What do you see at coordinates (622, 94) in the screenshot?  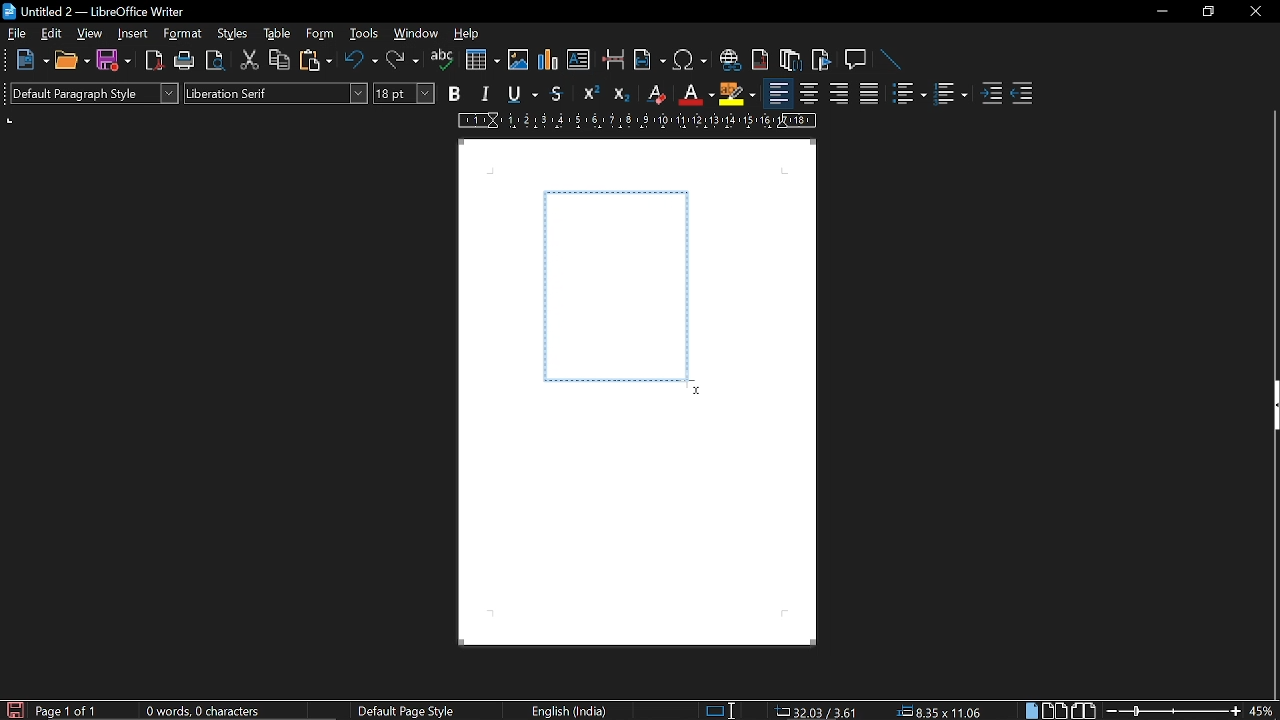 I see `subscript` at bounding box center [622, 94].